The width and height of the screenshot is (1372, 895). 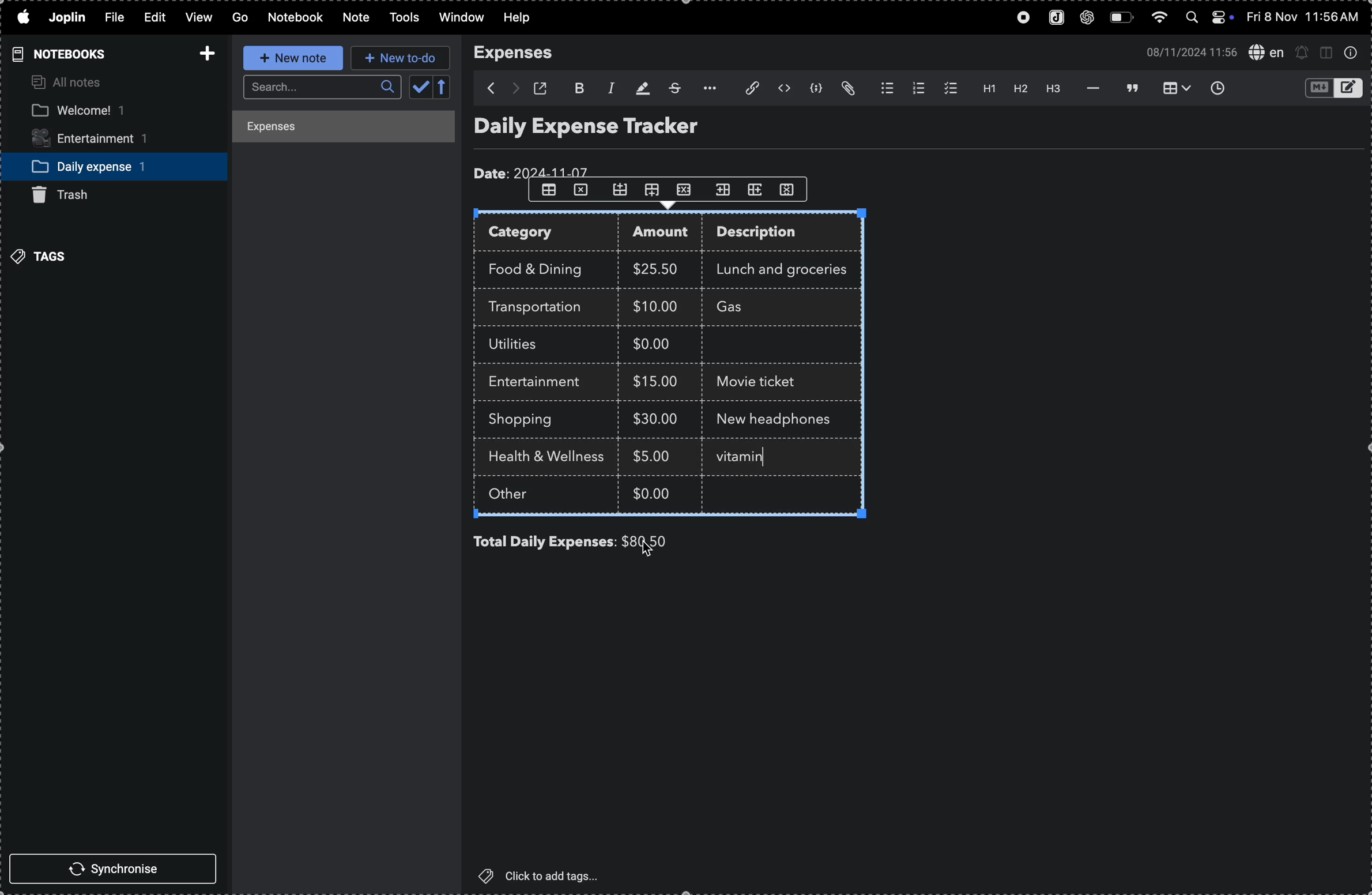 I want to click on entertainment, so click(x=101, y=140).